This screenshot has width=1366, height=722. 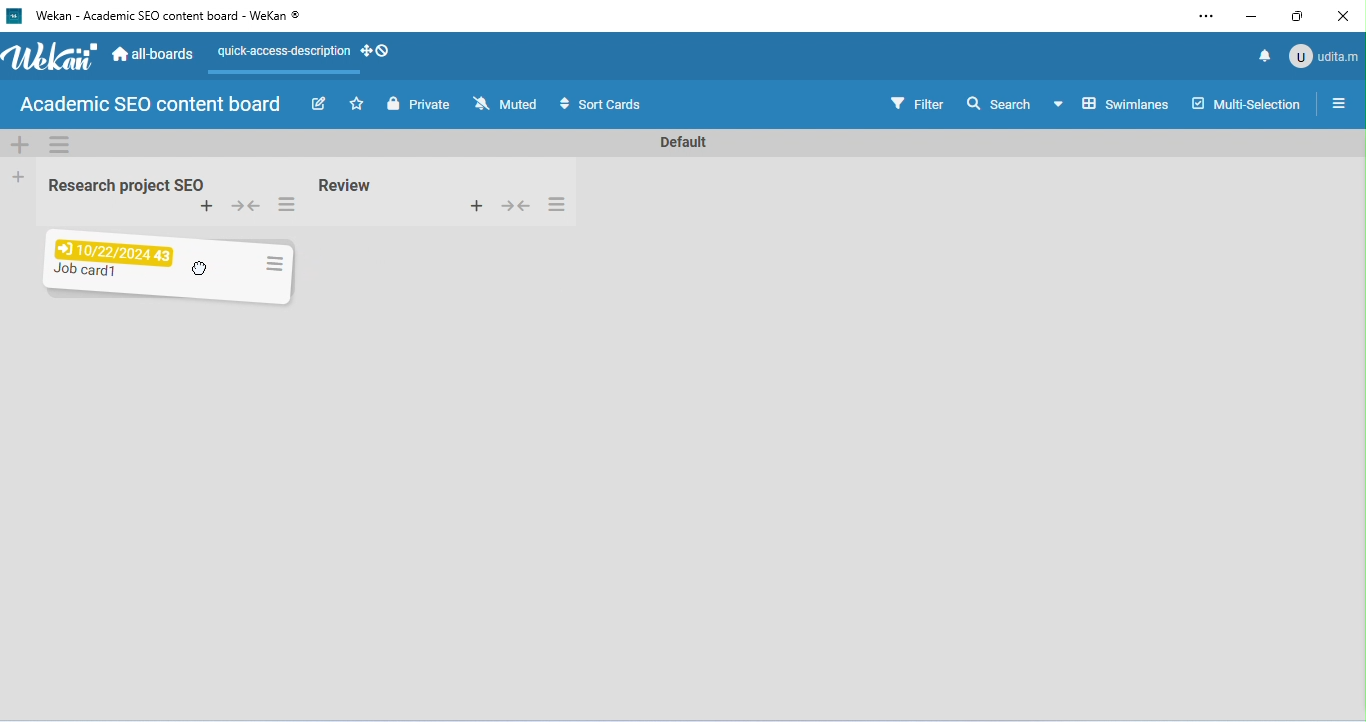 What do you see at coordinates (281, 54) in the screenshot?
I see `quick-access-description` at bounding box center [281, 54].